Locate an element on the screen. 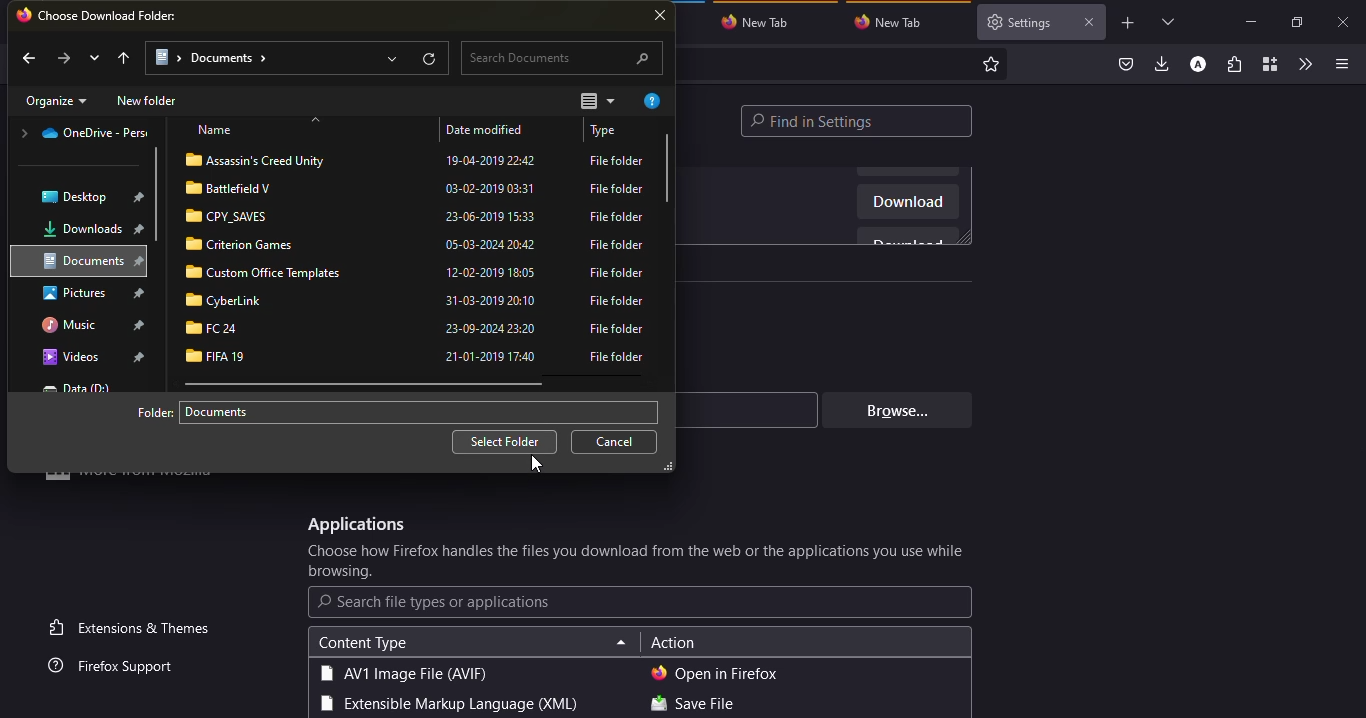 The image size is (1366, 718). location selected is located at coordinates (214, 57).